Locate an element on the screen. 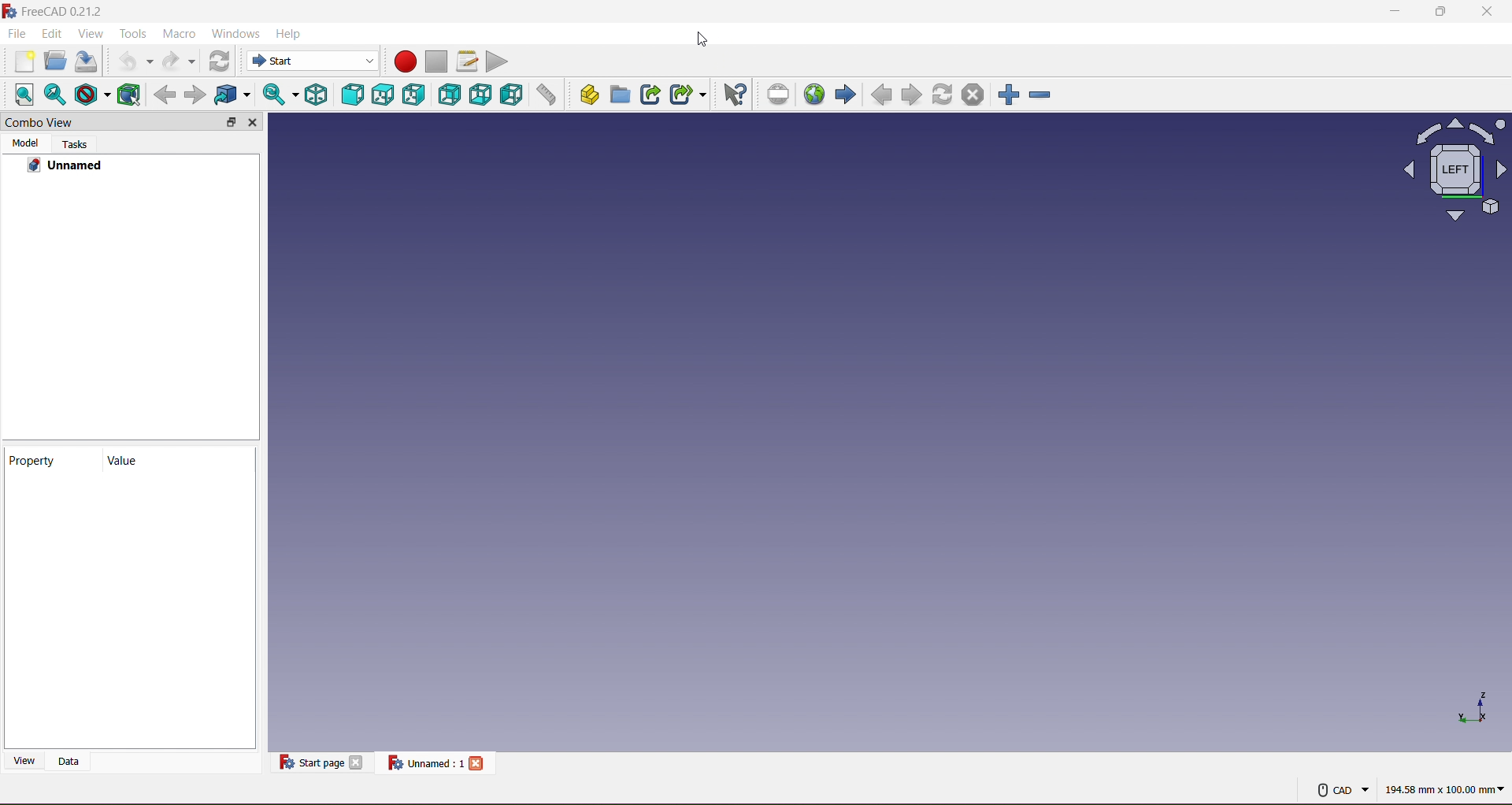 Image resolution: width=1512 pixels, height=805 pixels. Right is located at coordinates (413, 95).